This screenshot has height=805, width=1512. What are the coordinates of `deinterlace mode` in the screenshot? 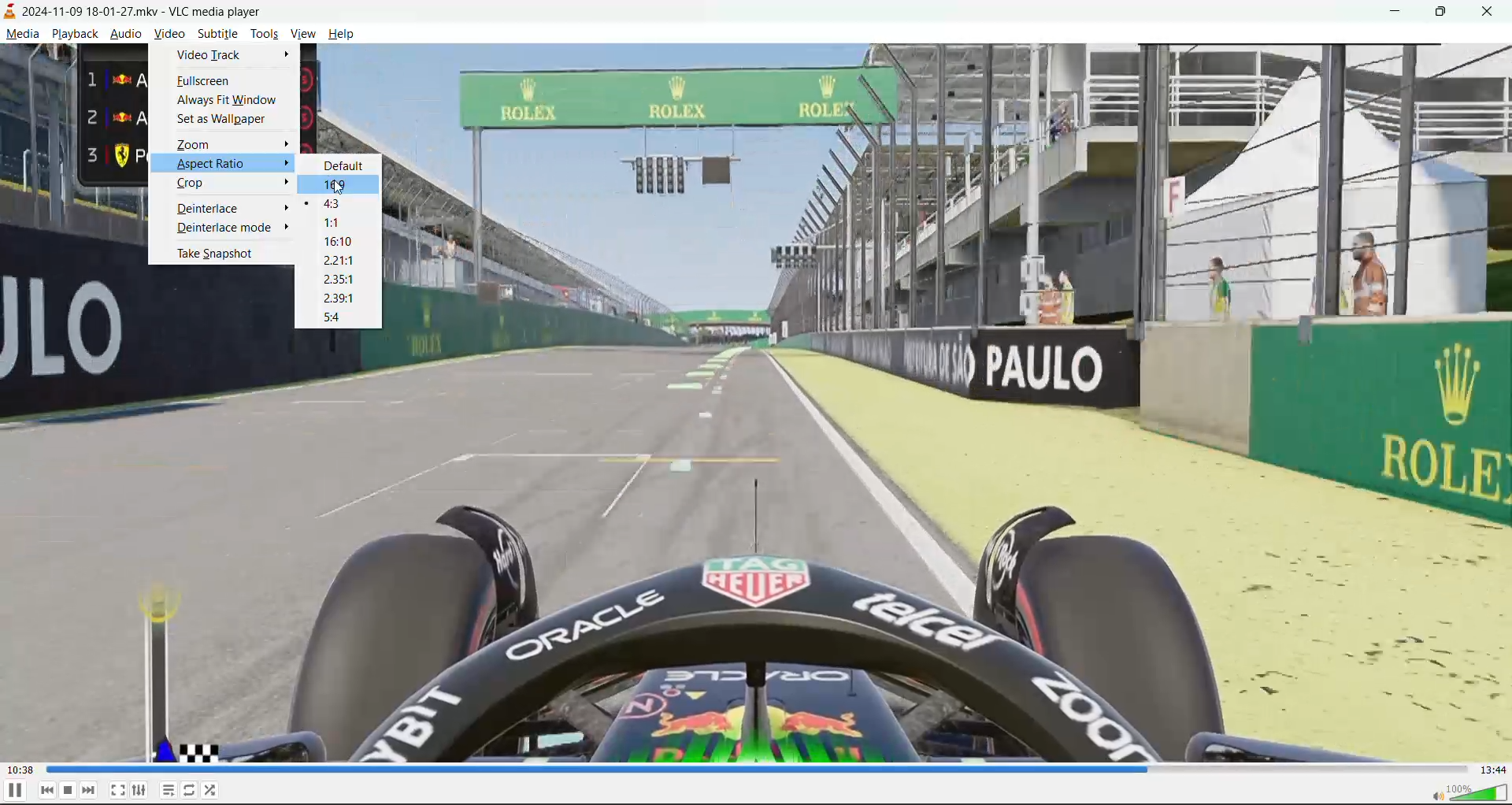 It's located at (225, 230).